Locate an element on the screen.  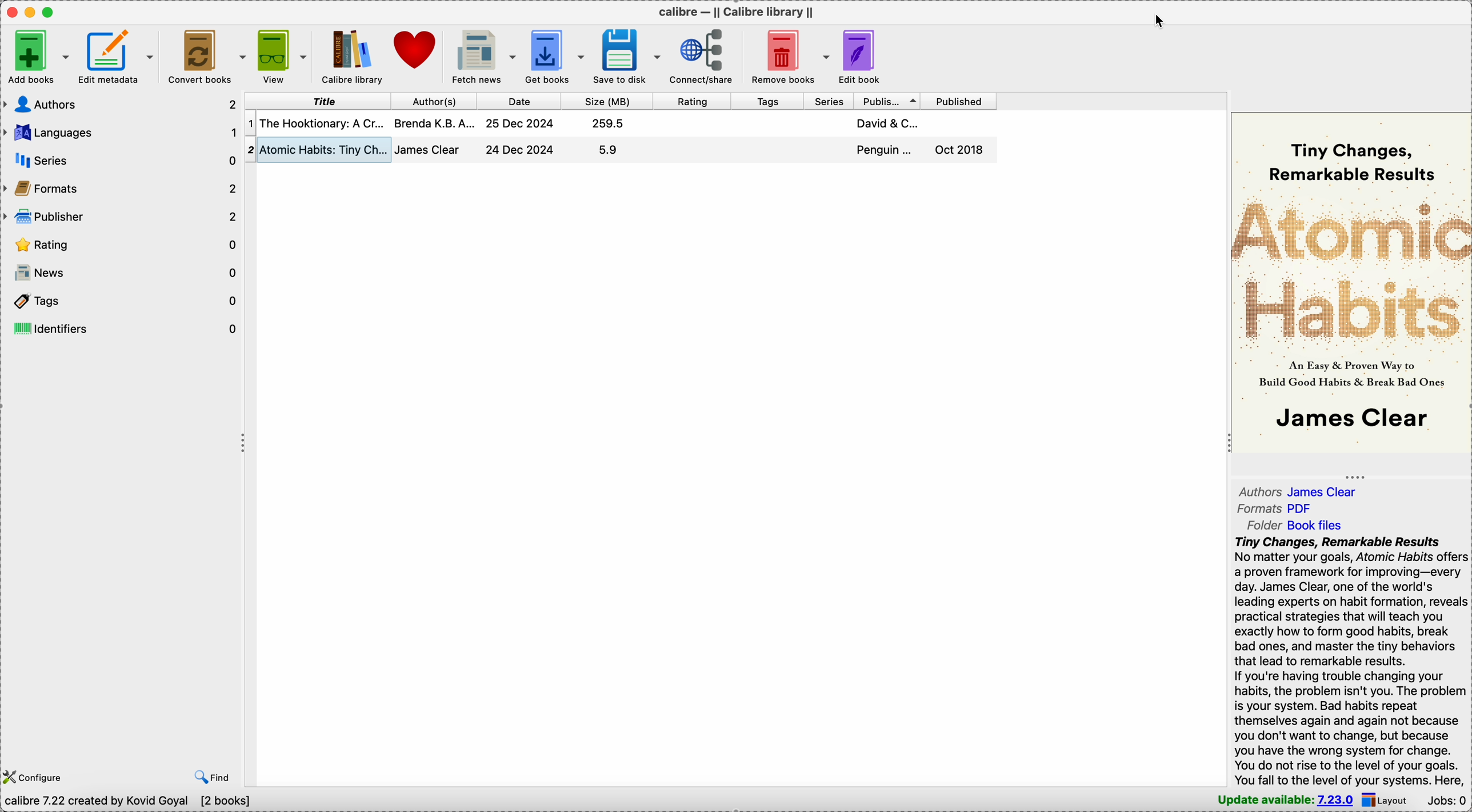
find is located at coordinates (208, 776).